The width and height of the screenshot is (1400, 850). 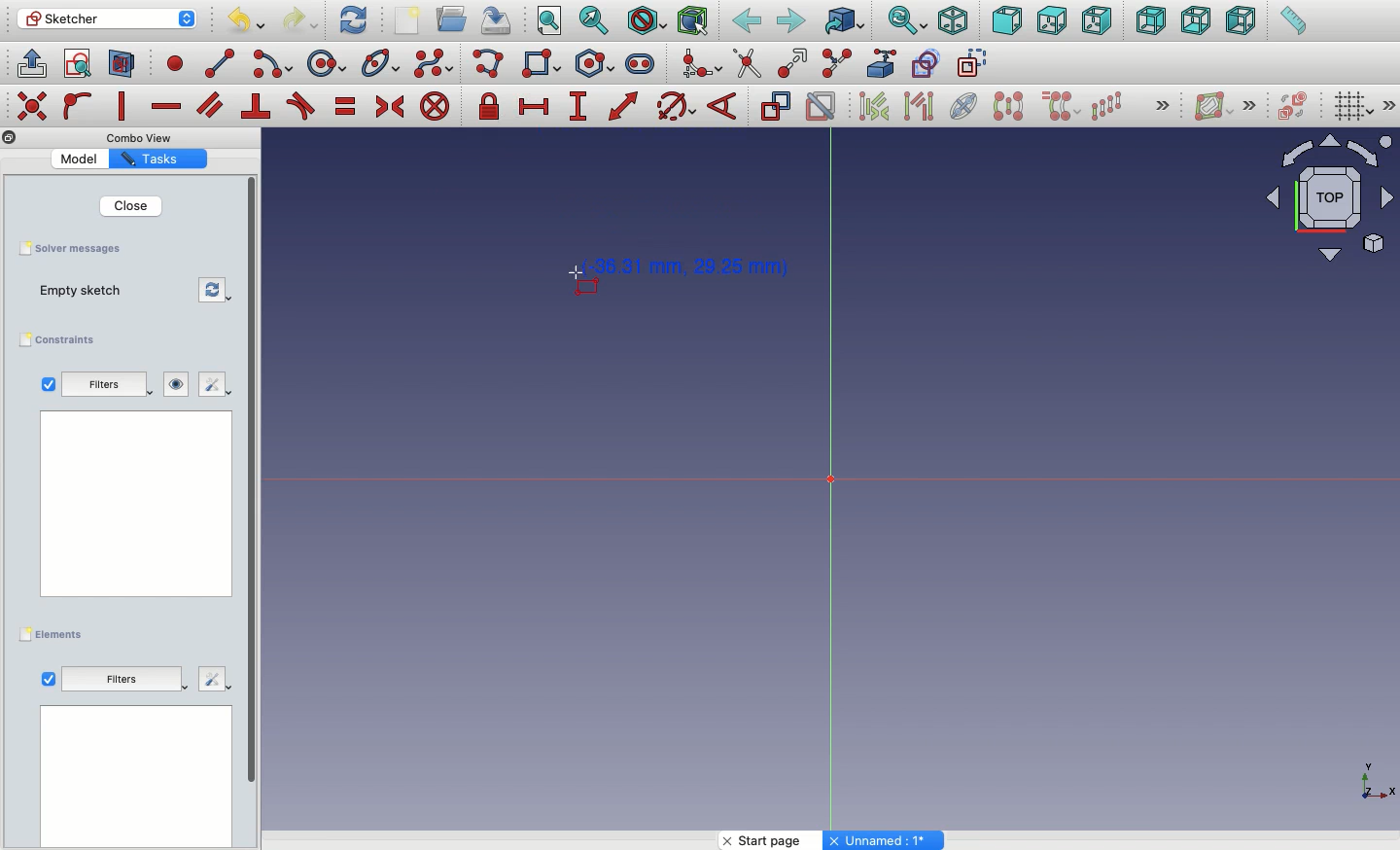 I want to click on Tasks, so click(x=155, y=159).